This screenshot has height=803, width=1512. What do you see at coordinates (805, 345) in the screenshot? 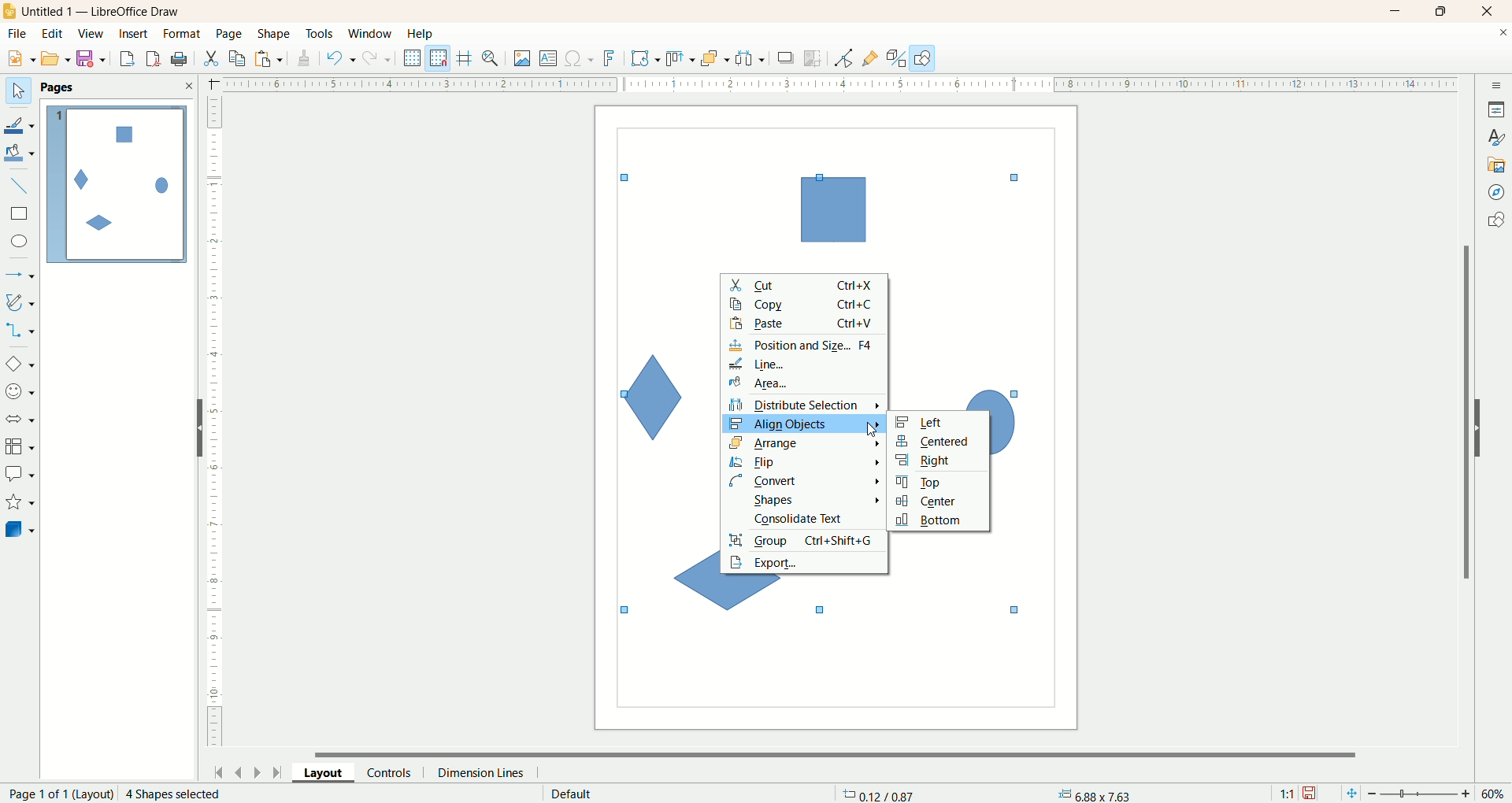
I see `position and size` at bounding box center [805, 345].